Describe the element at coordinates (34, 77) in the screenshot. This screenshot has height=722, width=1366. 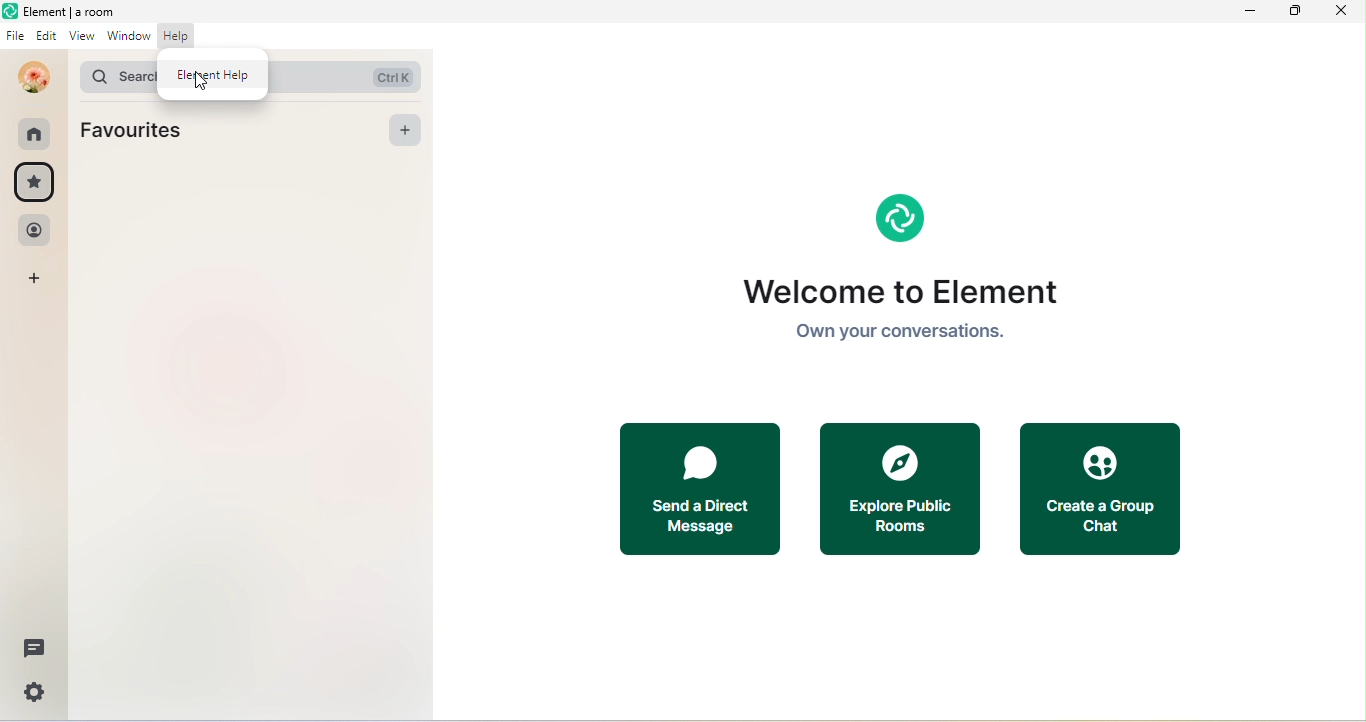
I see `Profile Icon` at that location.